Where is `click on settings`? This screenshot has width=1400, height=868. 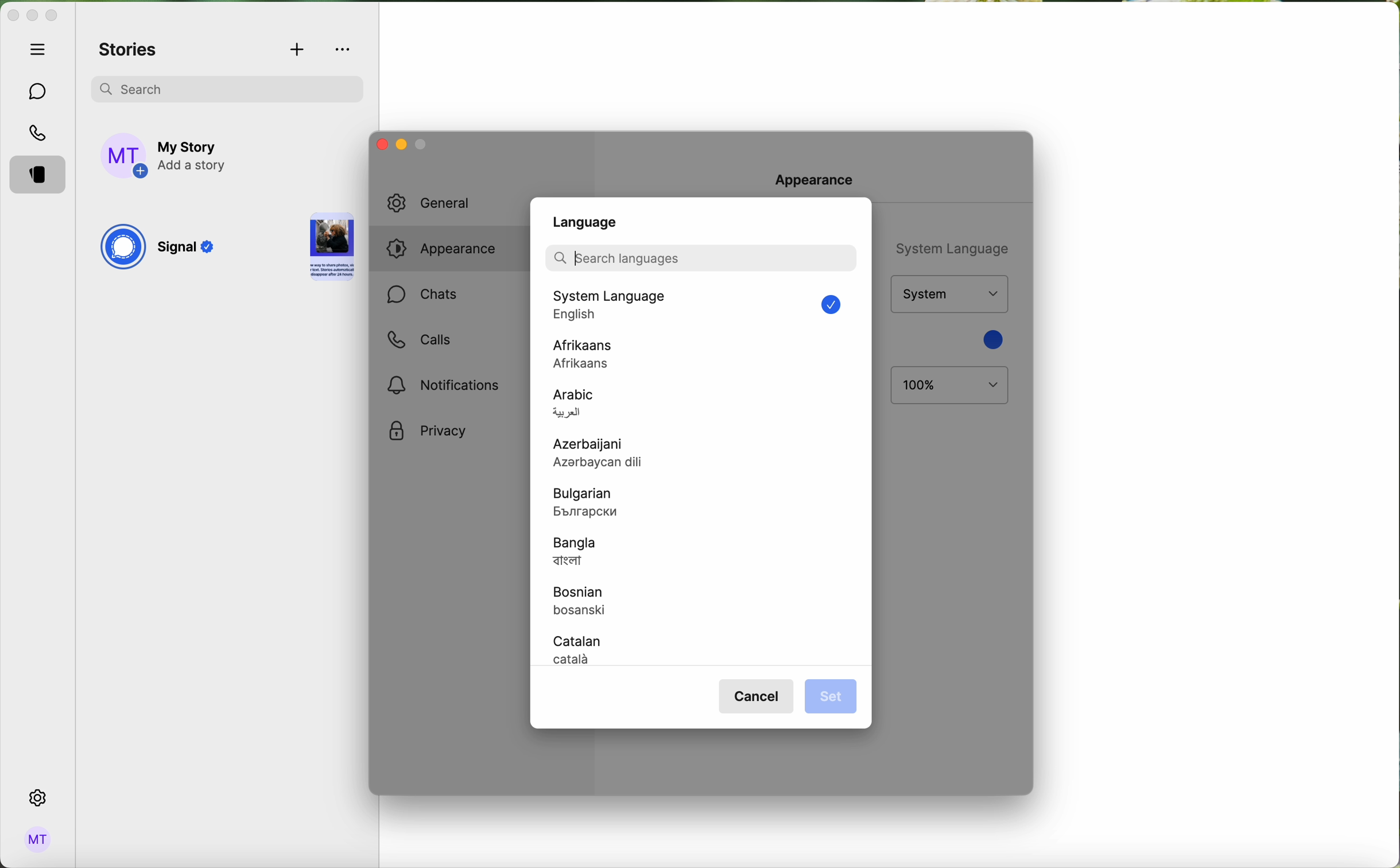
click on settings is located at coordinates (38, 799).